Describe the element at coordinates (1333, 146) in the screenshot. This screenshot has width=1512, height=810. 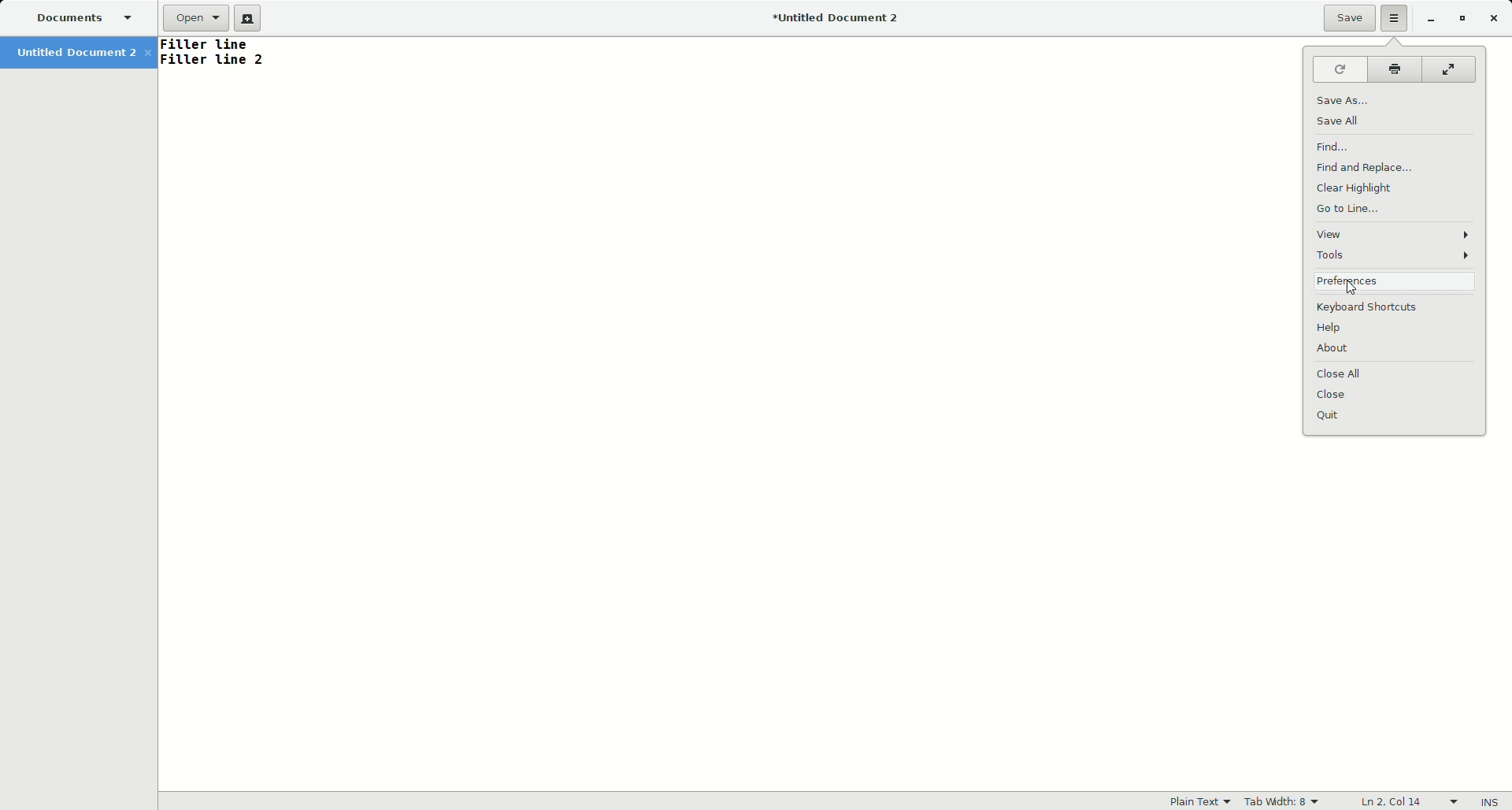
I see `Find` at that location.